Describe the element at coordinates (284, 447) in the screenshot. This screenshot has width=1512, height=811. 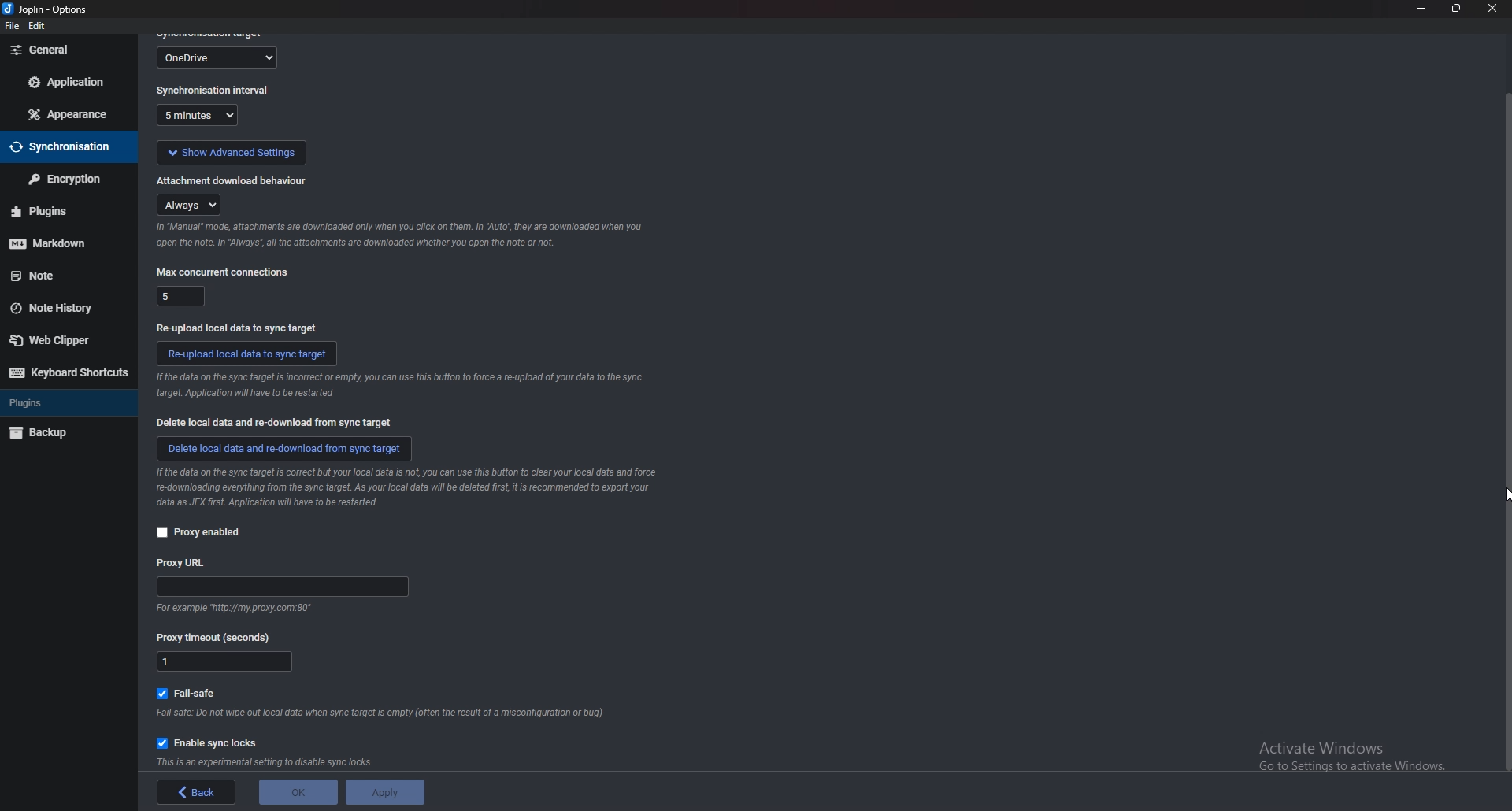
I see `delete local data` at that location.